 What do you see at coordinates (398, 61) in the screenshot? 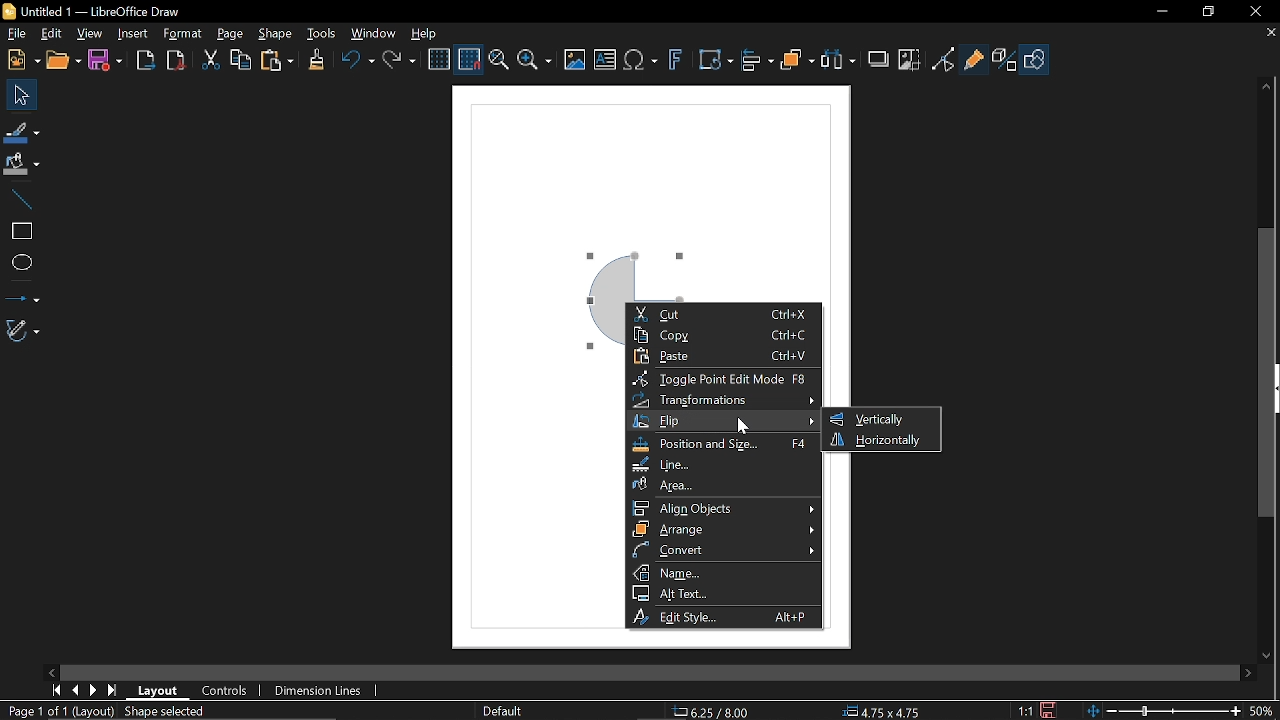
I see `Redo` at bounding box center [398, 61].